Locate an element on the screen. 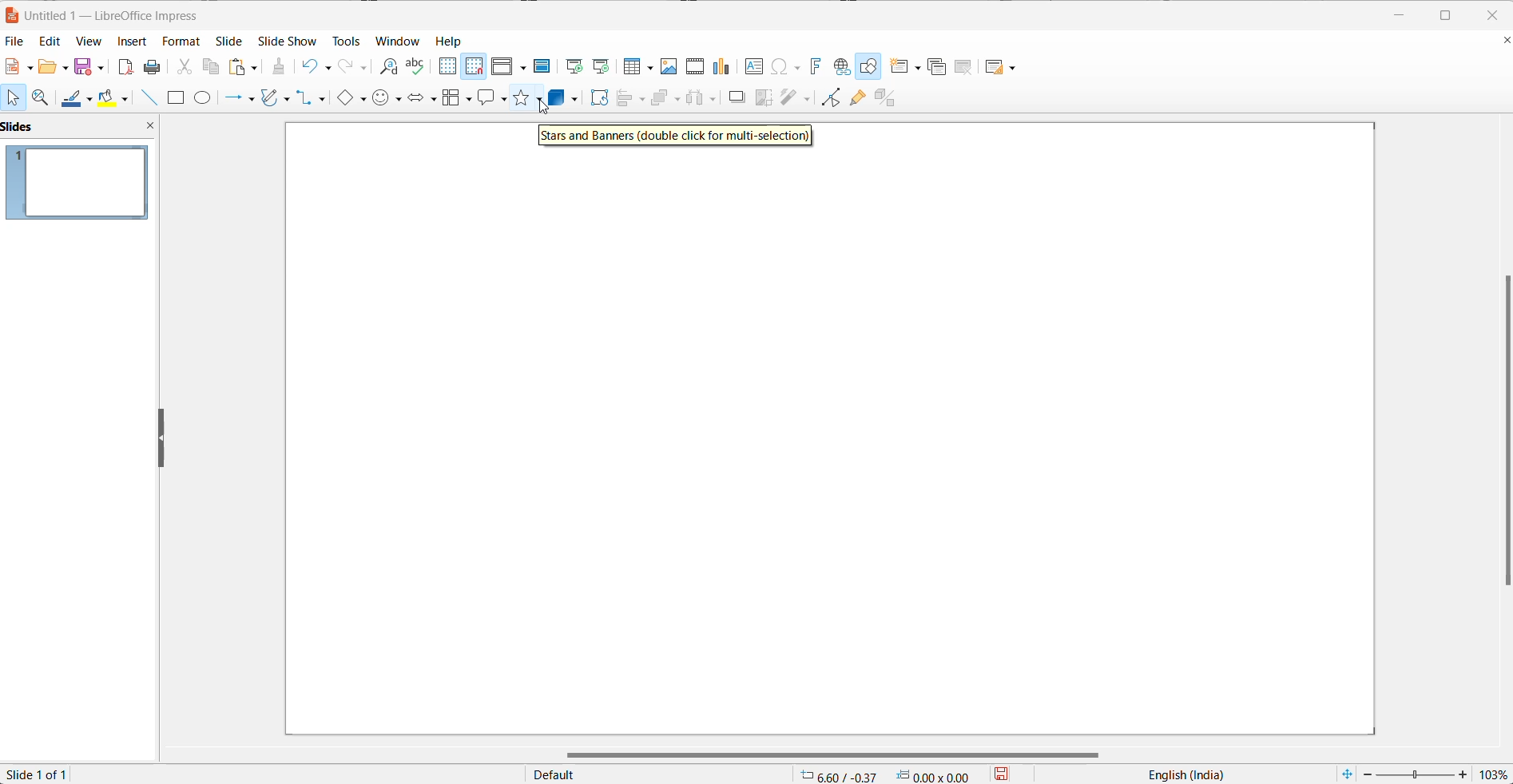 The image size is (1513, 784). open is located at coordinates (53, 66).